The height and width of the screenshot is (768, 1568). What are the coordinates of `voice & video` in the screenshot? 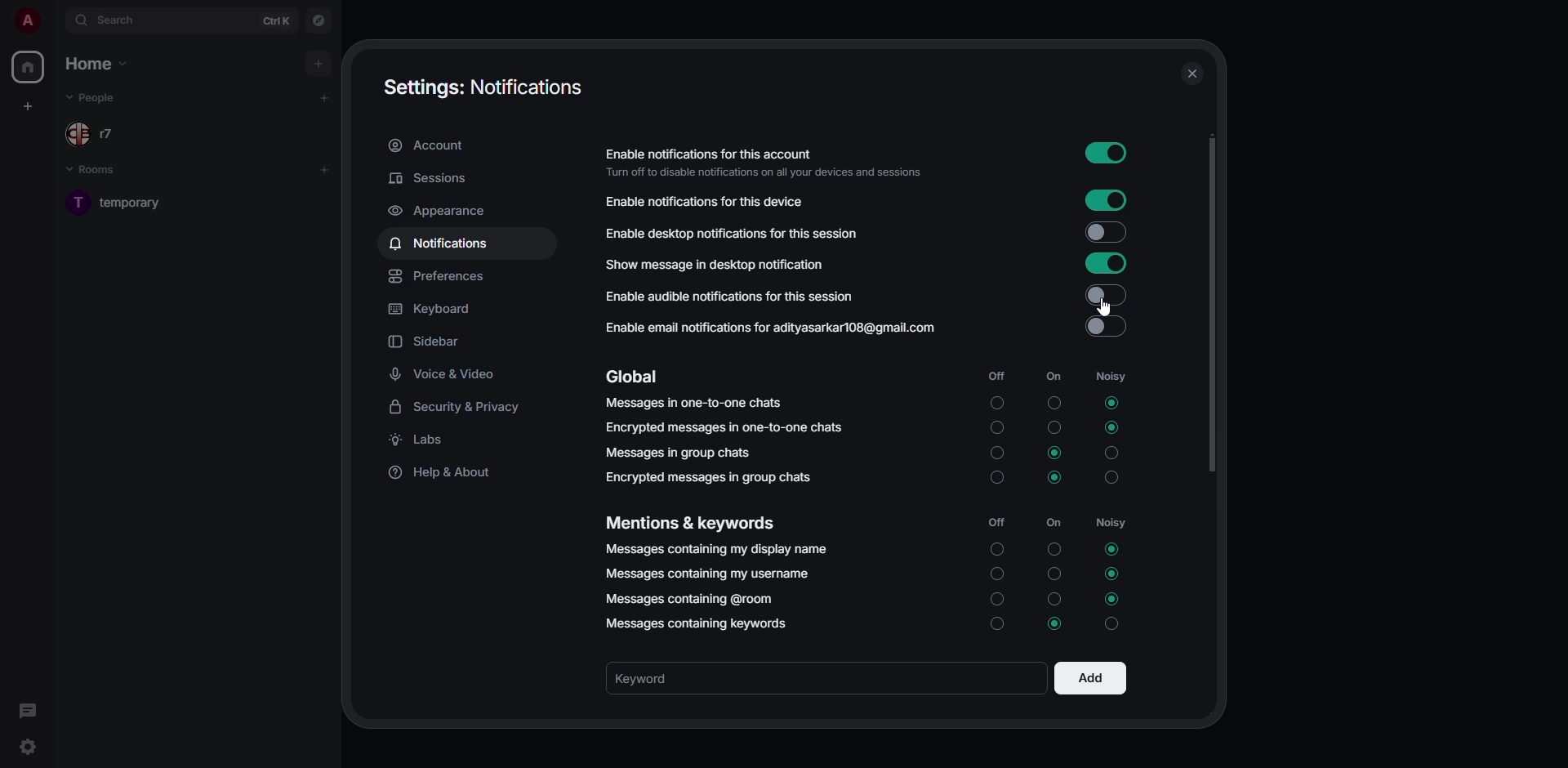 It's located at (451, 375).